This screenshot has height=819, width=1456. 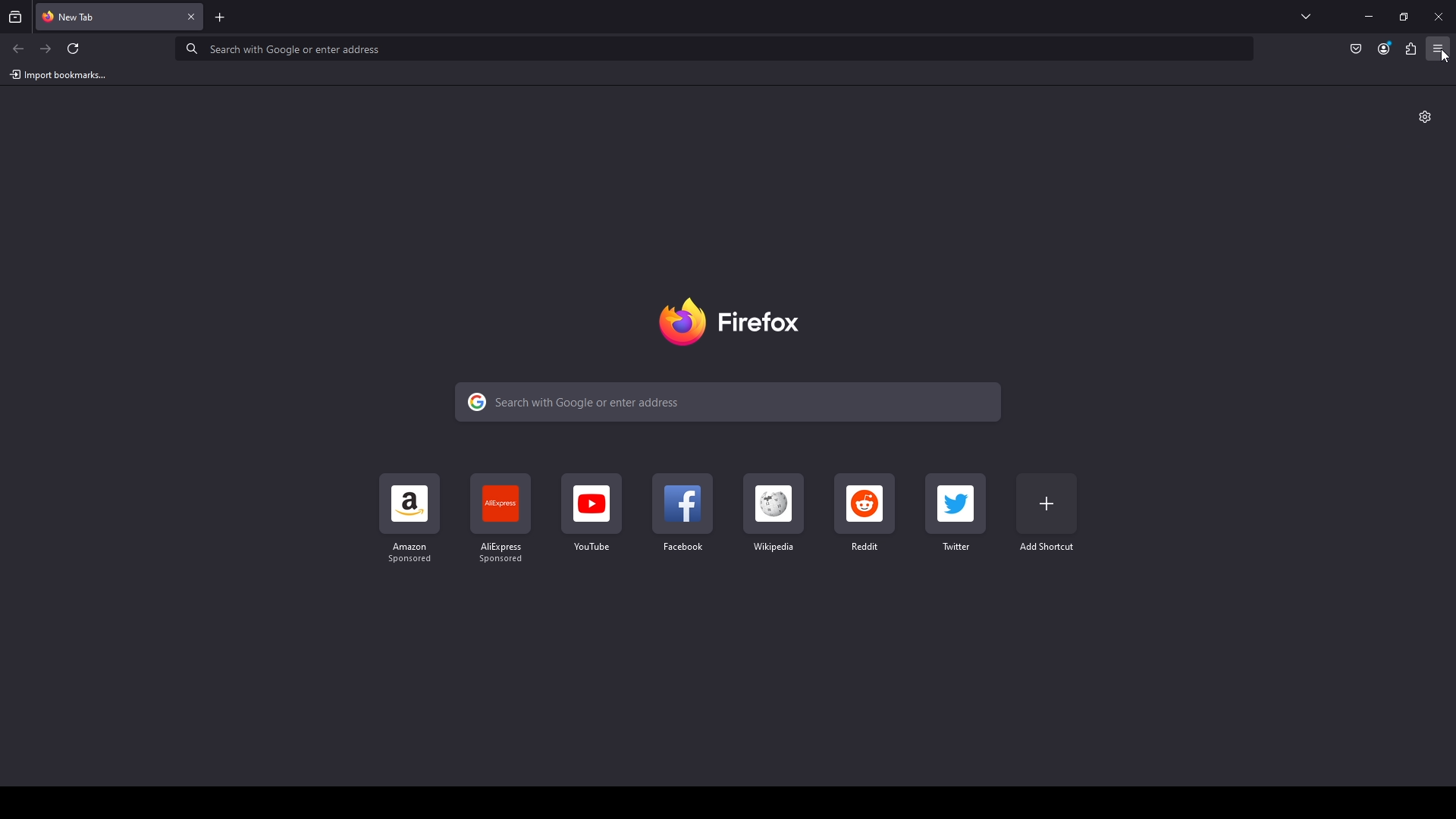 What do you see at coordinates (1307, 17) in the screenshot?
I see `List all tabs` at bounding box center [1307, 17].